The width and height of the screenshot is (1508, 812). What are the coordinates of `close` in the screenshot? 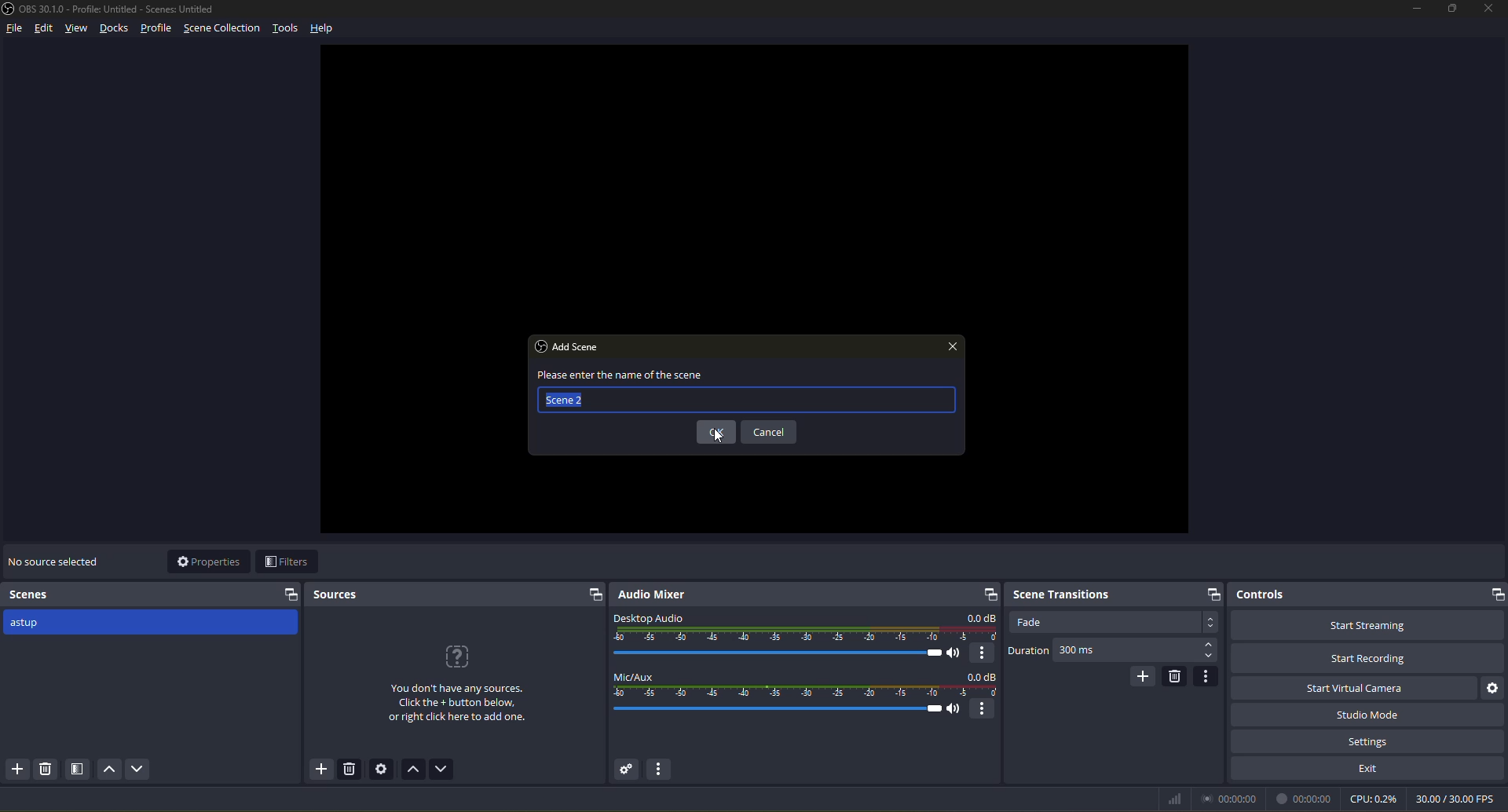 It's located at (953, 346).